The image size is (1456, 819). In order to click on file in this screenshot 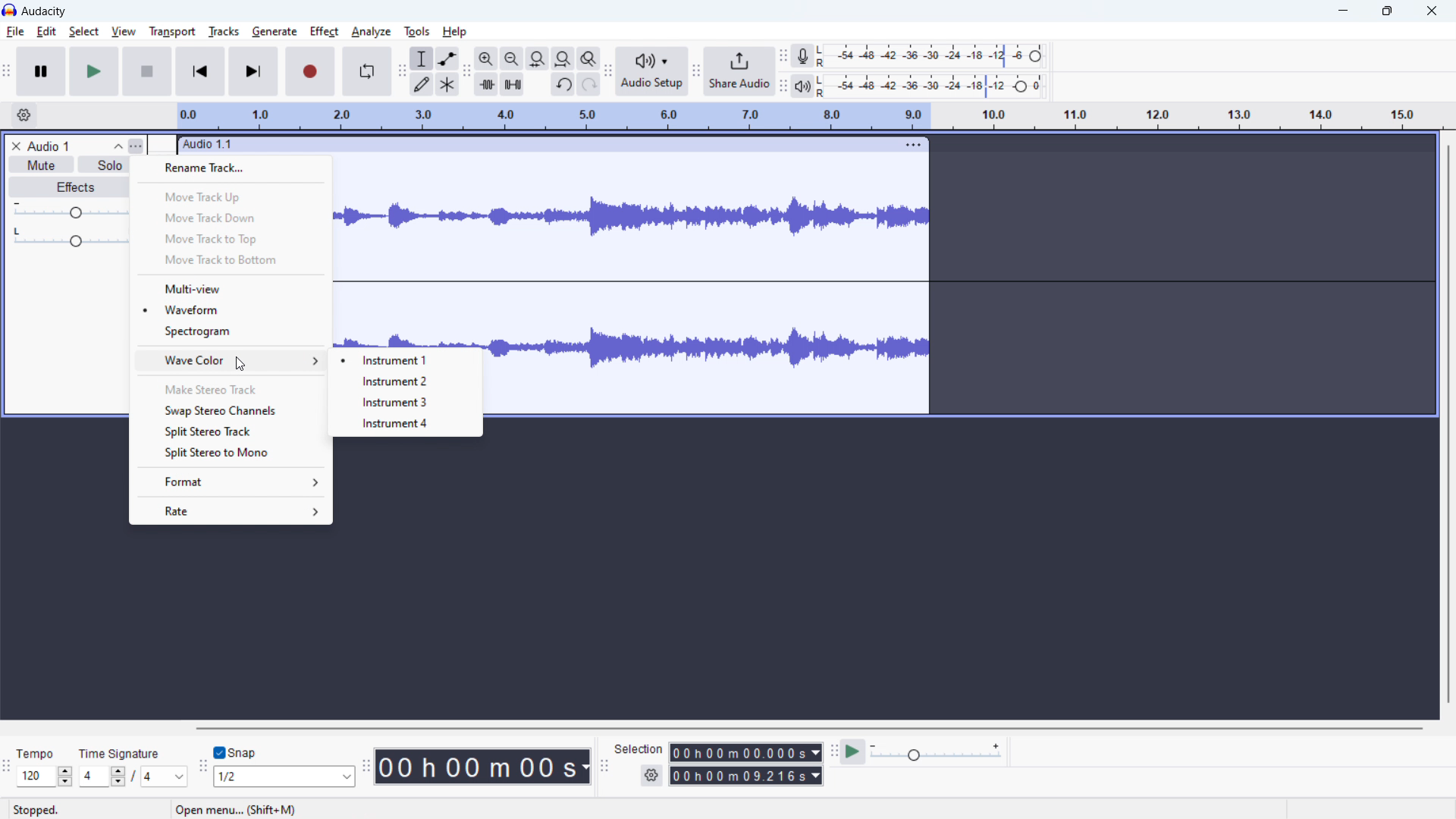, I will do `click(14, 32)`.